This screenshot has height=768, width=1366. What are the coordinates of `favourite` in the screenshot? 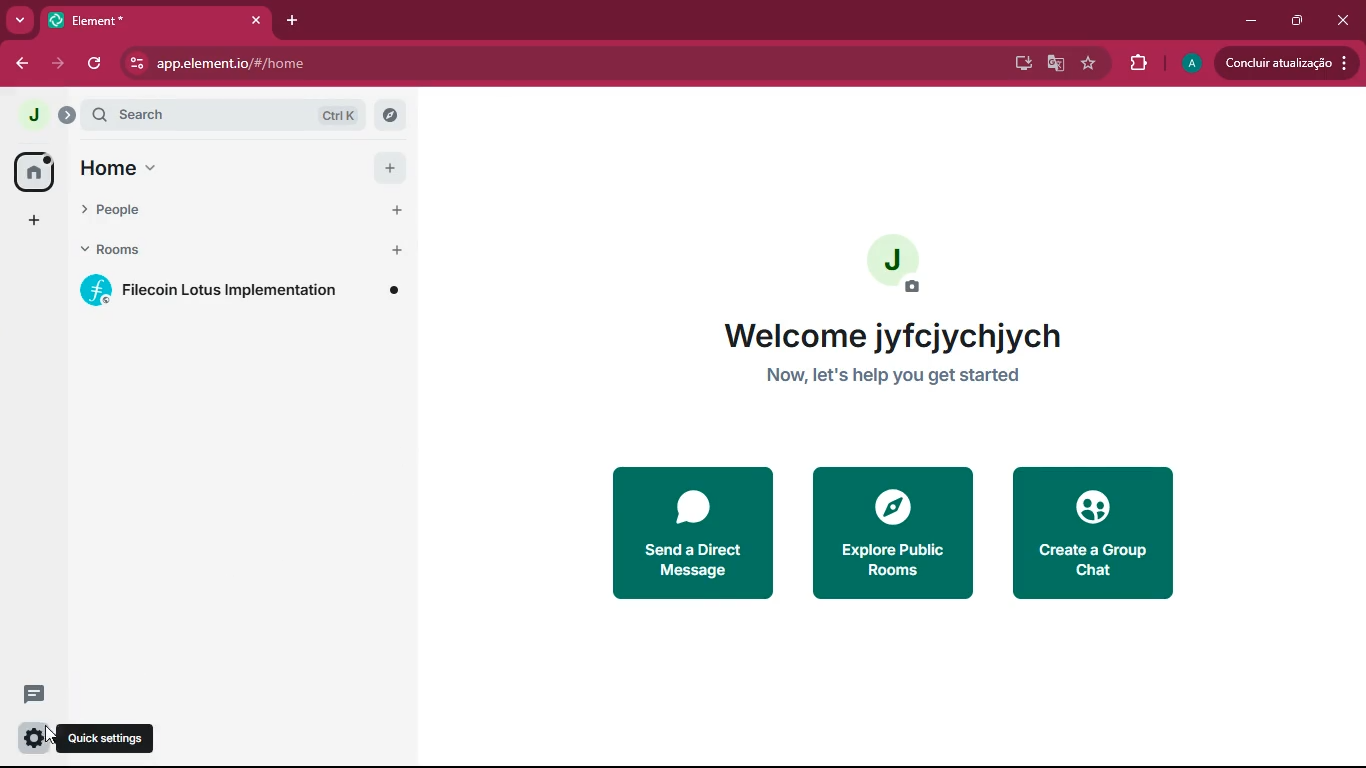 It's located at (1089, 63).